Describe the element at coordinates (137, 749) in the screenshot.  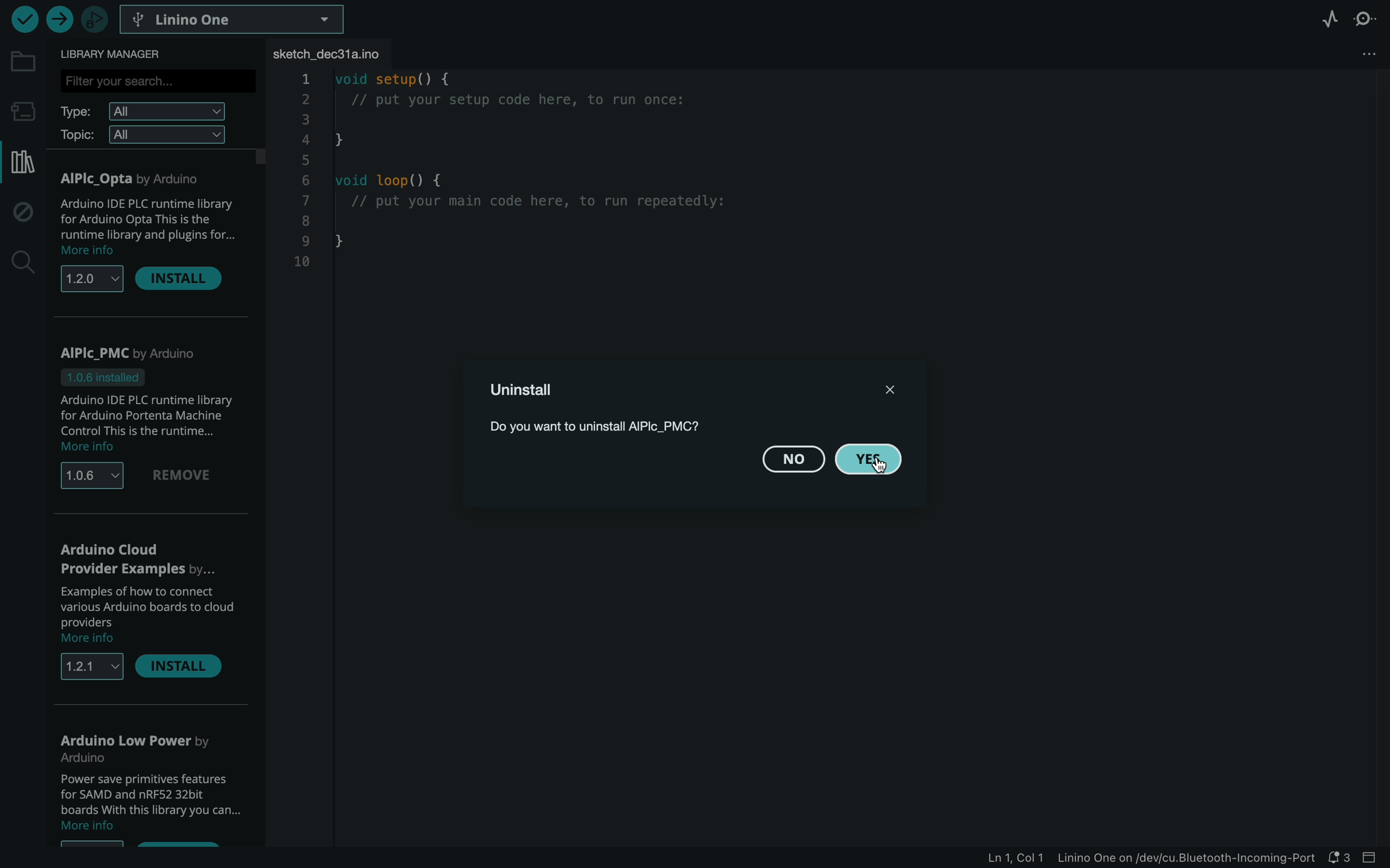
I see `low power` at that location.